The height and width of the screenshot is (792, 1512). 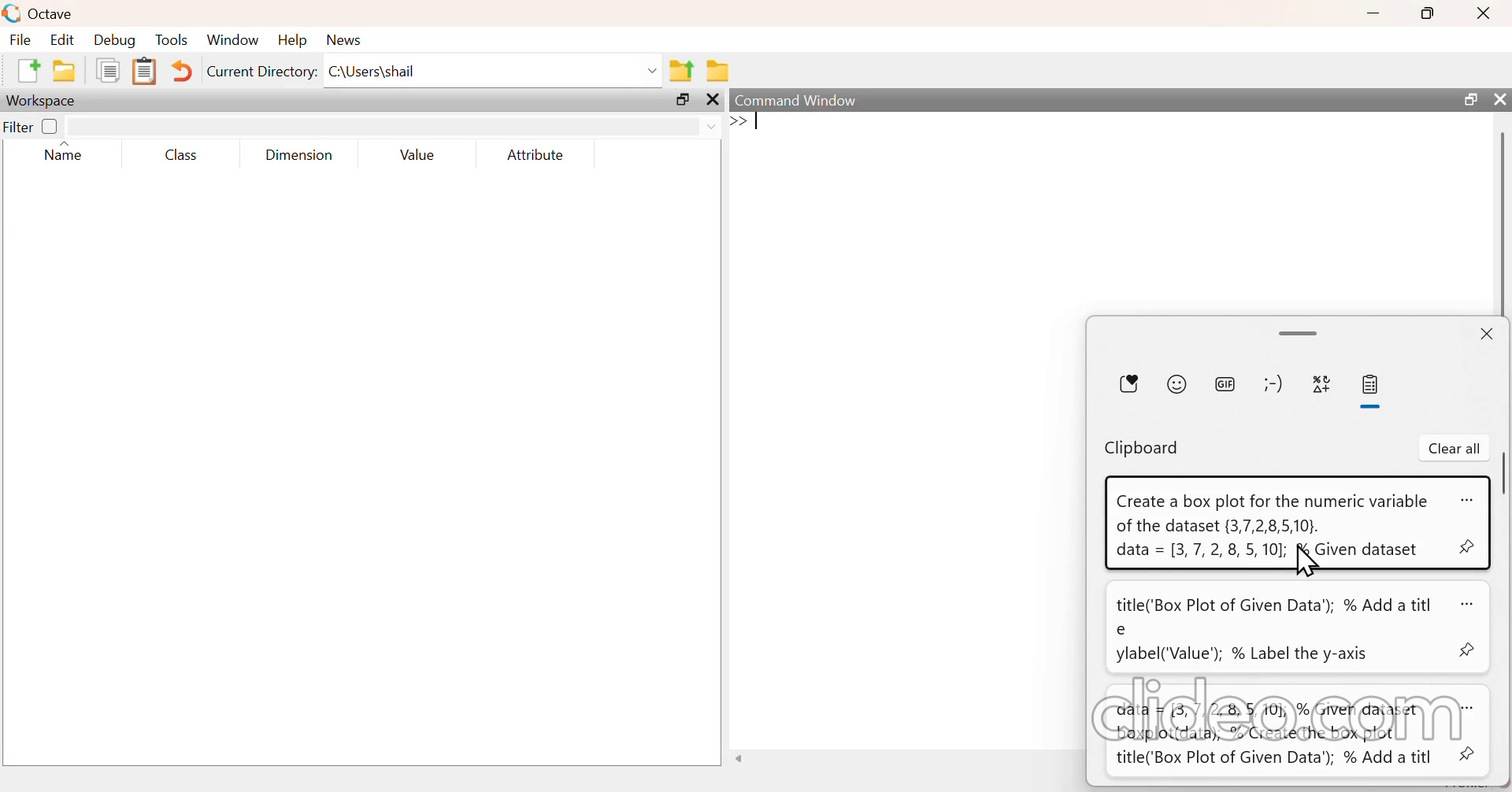 What do you see at coordinates (1126, 383) in the screenshot?
I see `most recently used` at bounding box center [1126, 383].